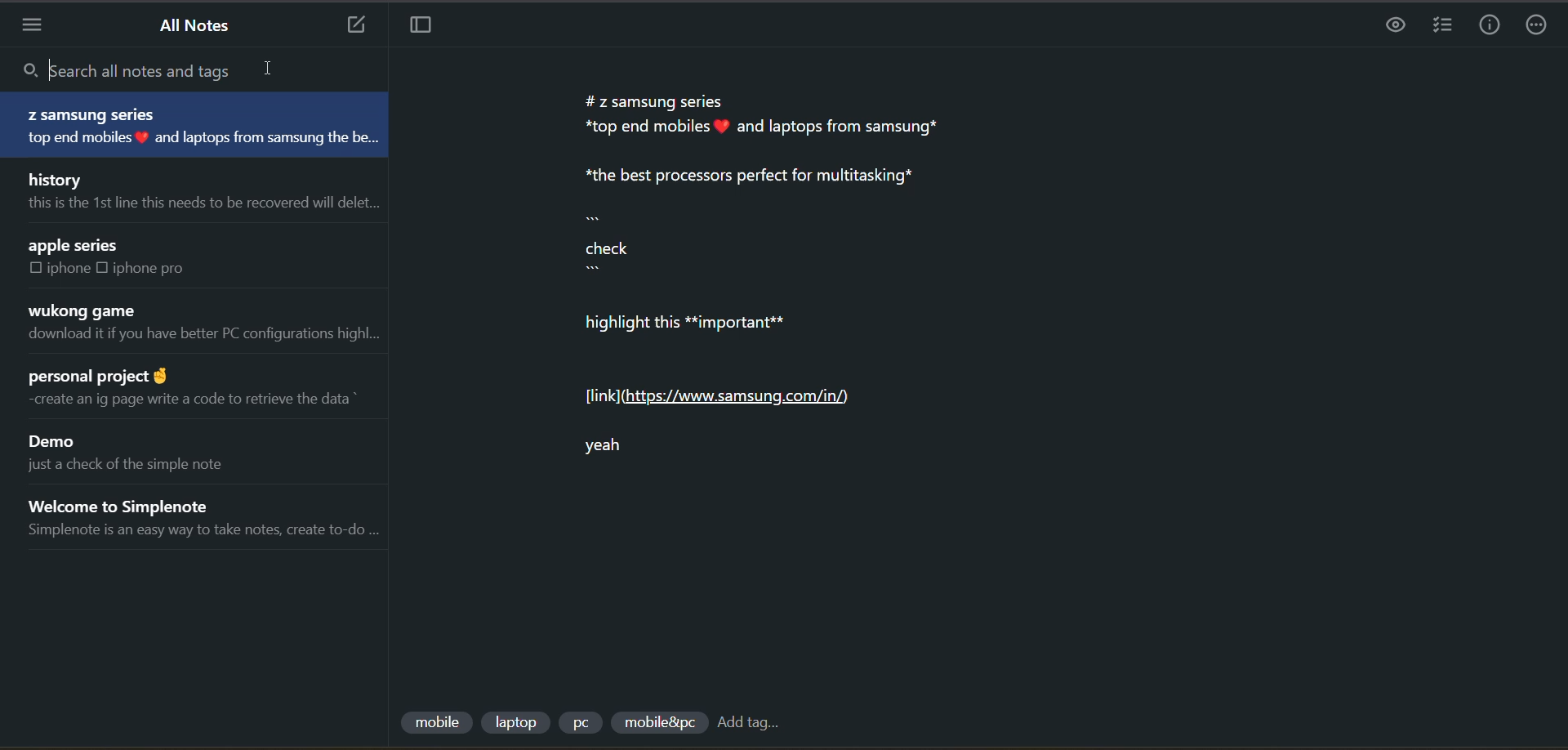 The height and width of the screenshot is (750, 1568). Describe the element at coordinates (780, 221) in the screenshot. I see `# 7 samsung series

*top end mobiles % and laptops from samsung*
*the best processors perfect for multitasking*
check

highlight this **important**` at that location.